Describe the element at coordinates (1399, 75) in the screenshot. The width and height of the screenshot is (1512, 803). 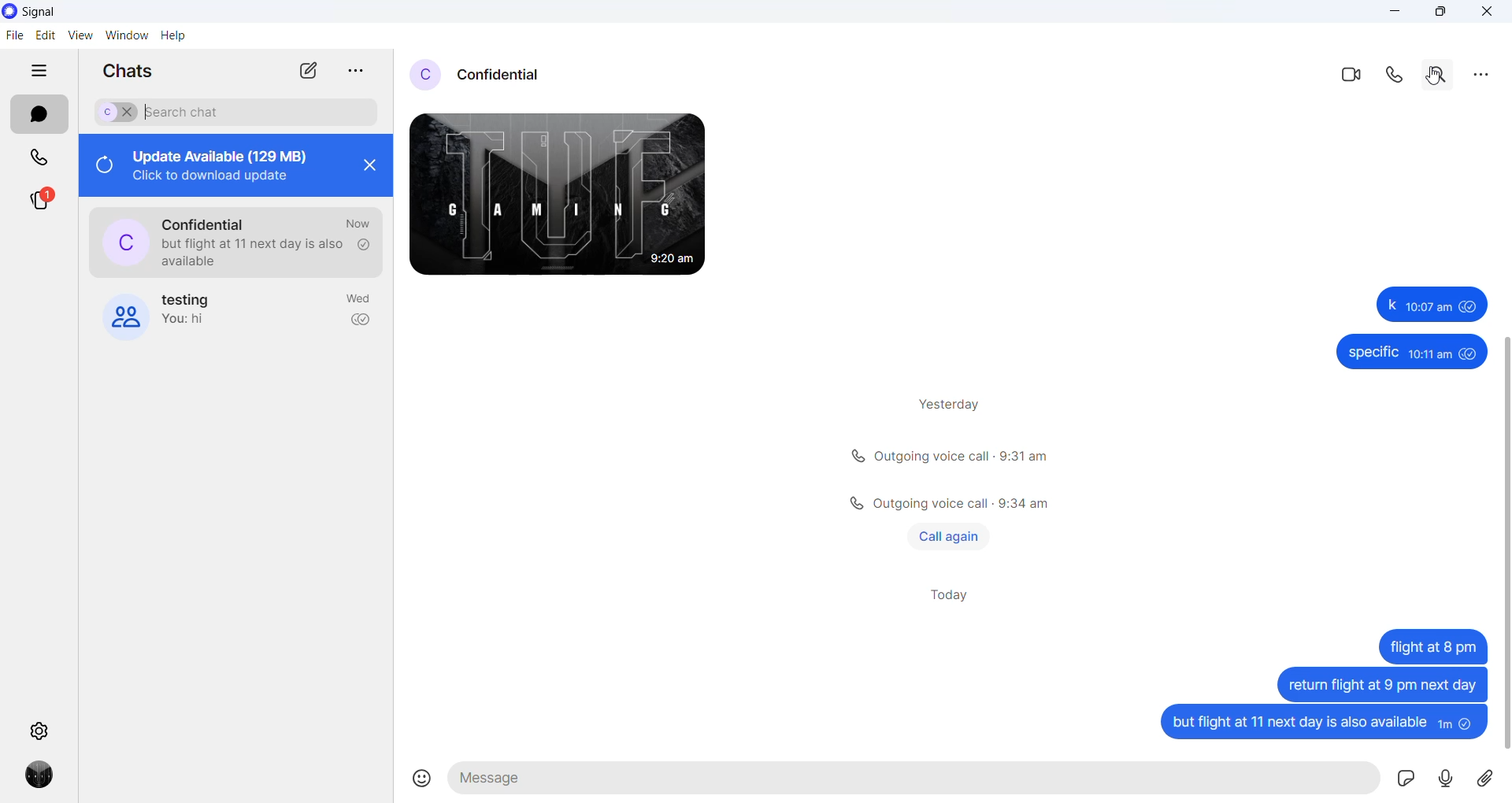
I see `call` at that location.